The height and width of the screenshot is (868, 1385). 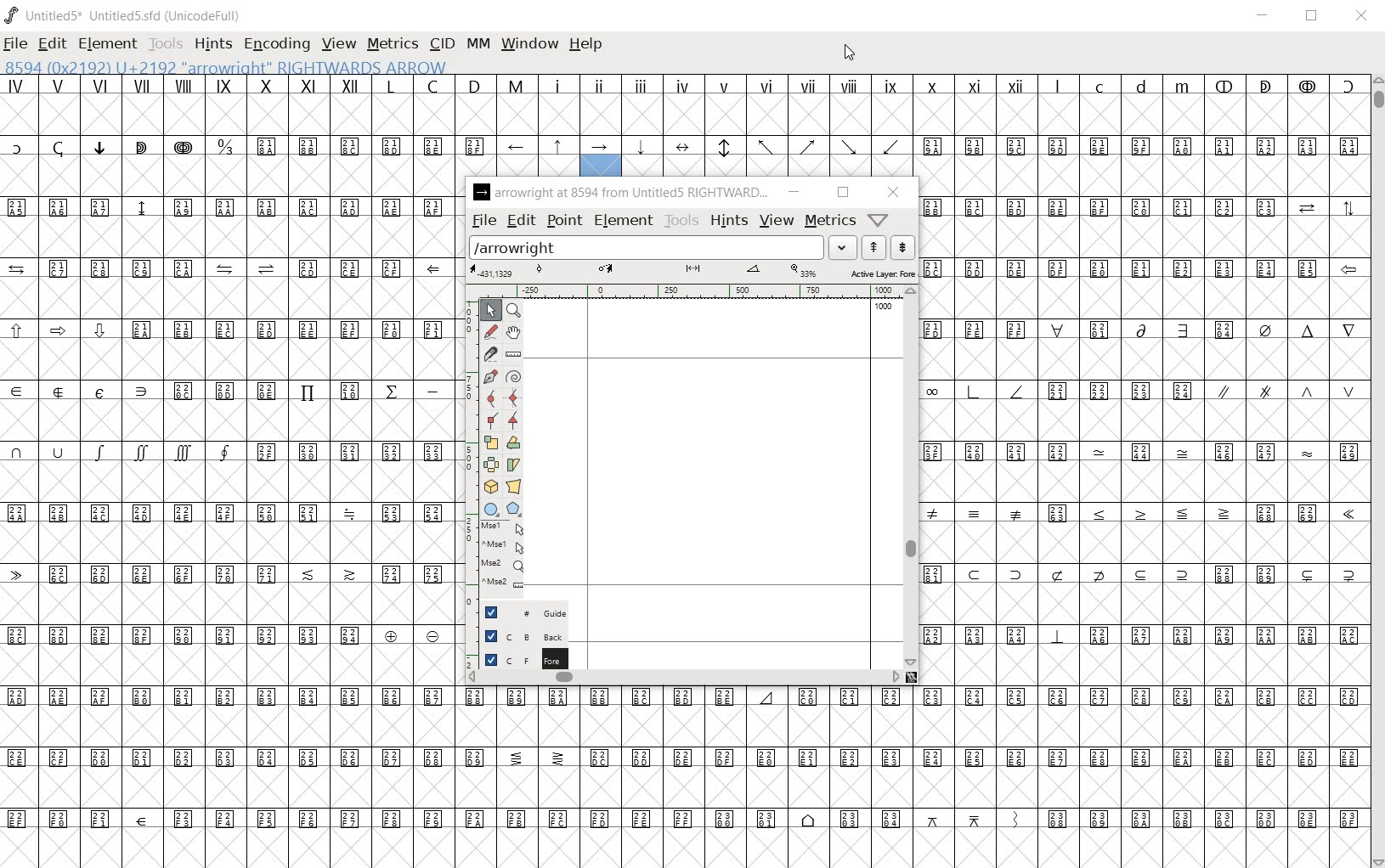 What do you see at coordinates (517, 311) in the screenshot?
I see `magnify` at bounding box center [517, 311].